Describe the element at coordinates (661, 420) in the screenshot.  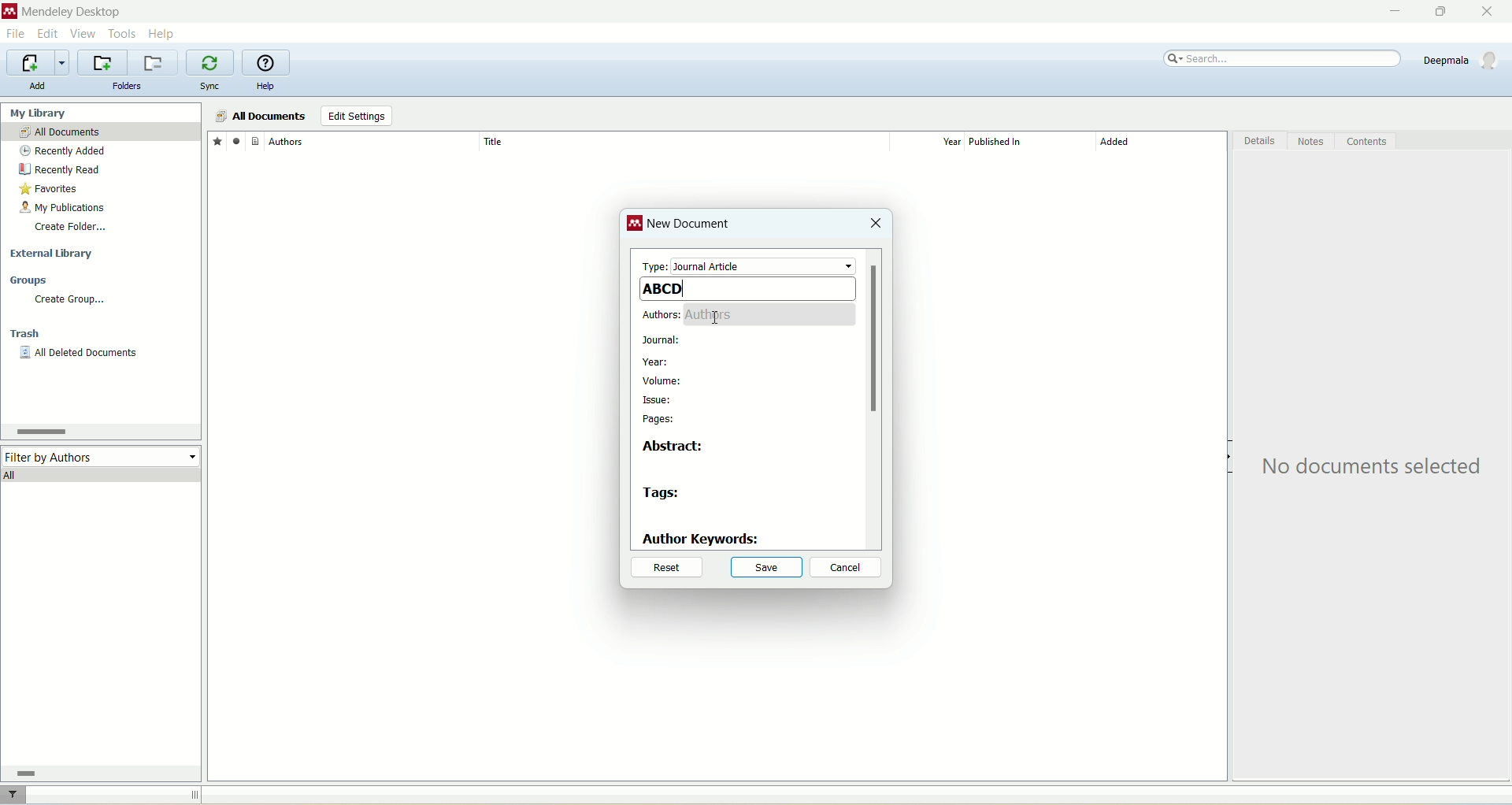
I see `pages` at that location.